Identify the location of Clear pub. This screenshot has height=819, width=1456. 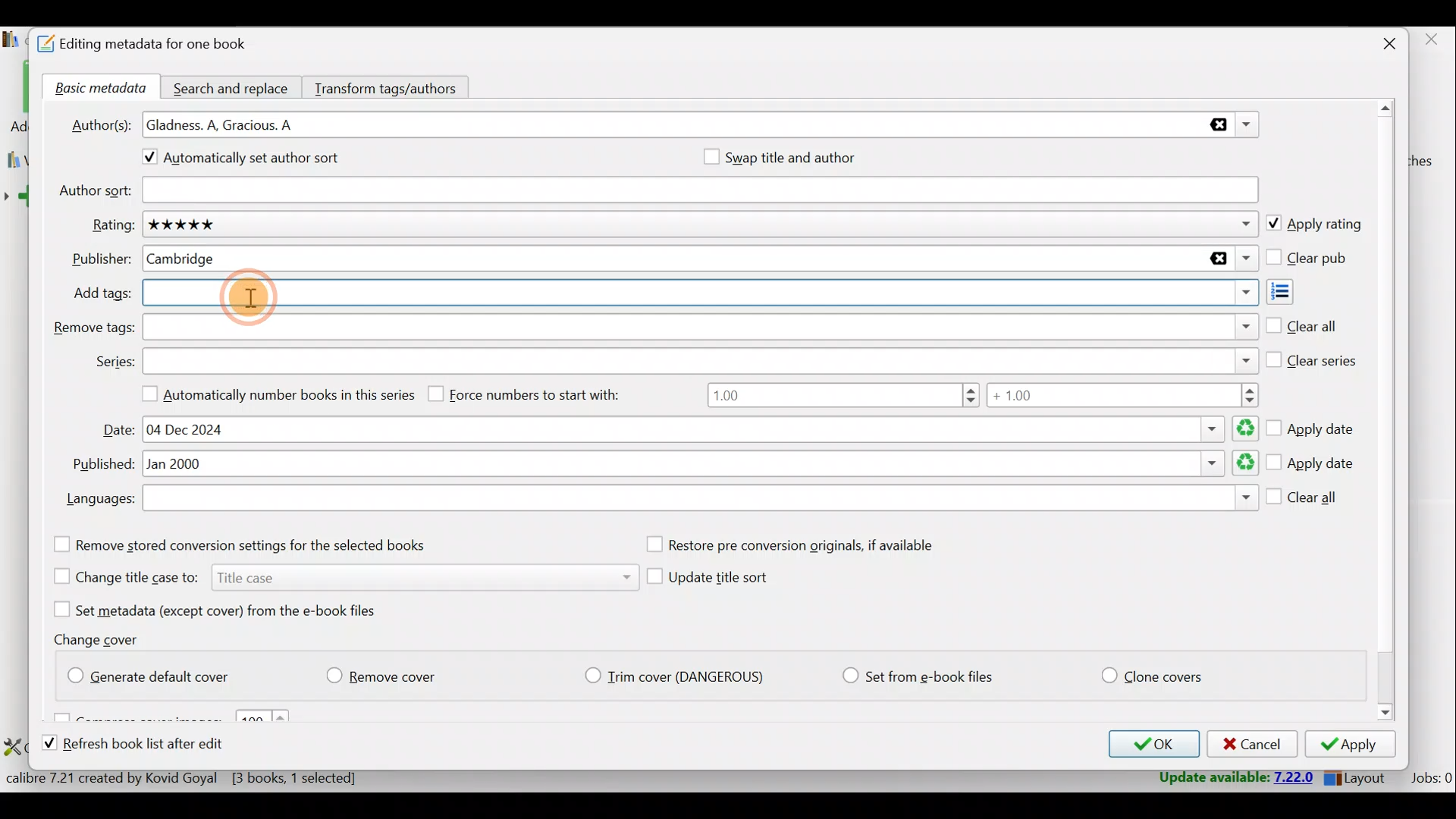
(1310, 259).